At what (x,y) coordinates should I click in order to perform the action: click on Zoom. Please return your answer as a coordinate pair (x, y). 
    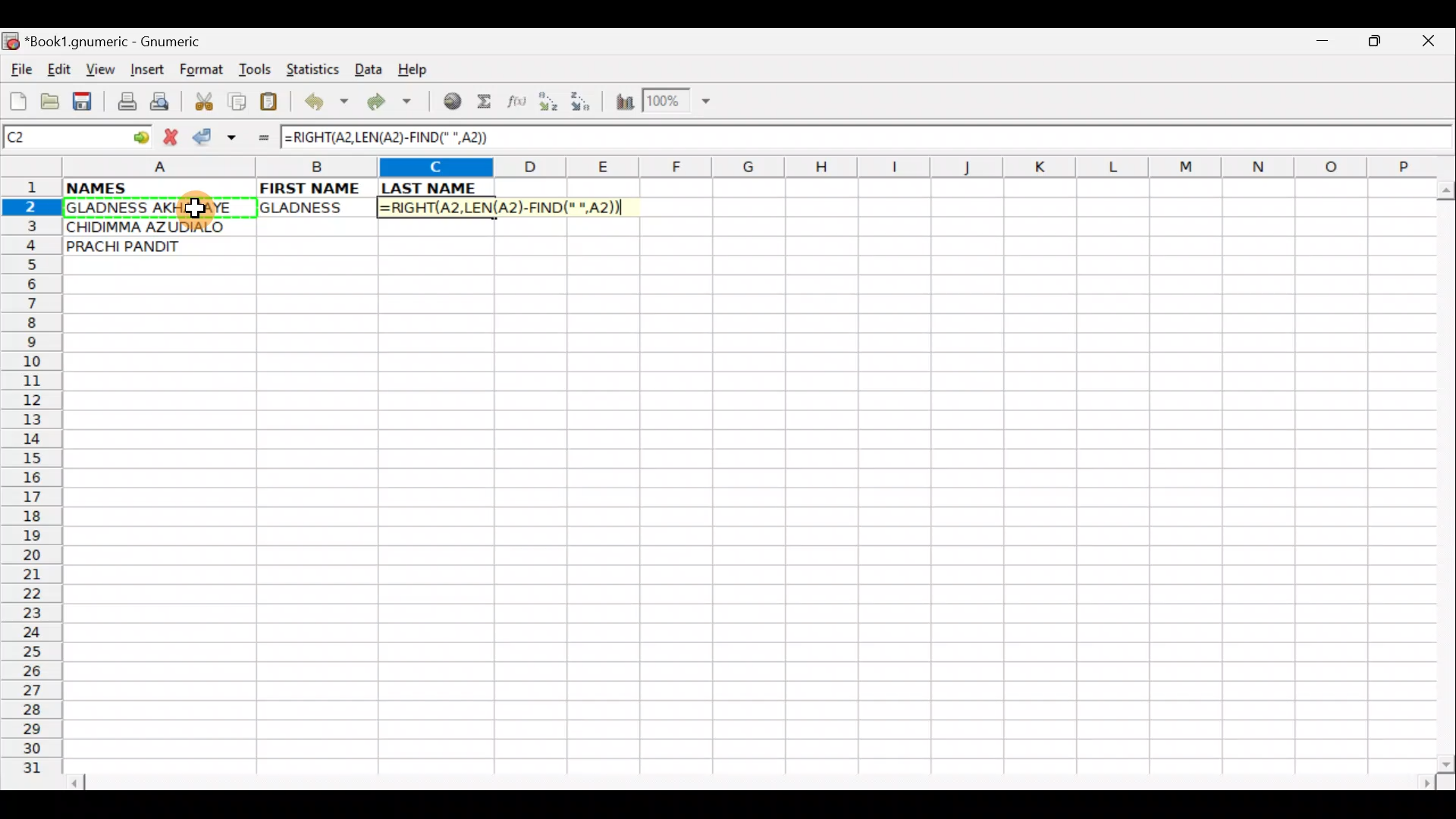
    Looking at the image, I should click on (679, 103).